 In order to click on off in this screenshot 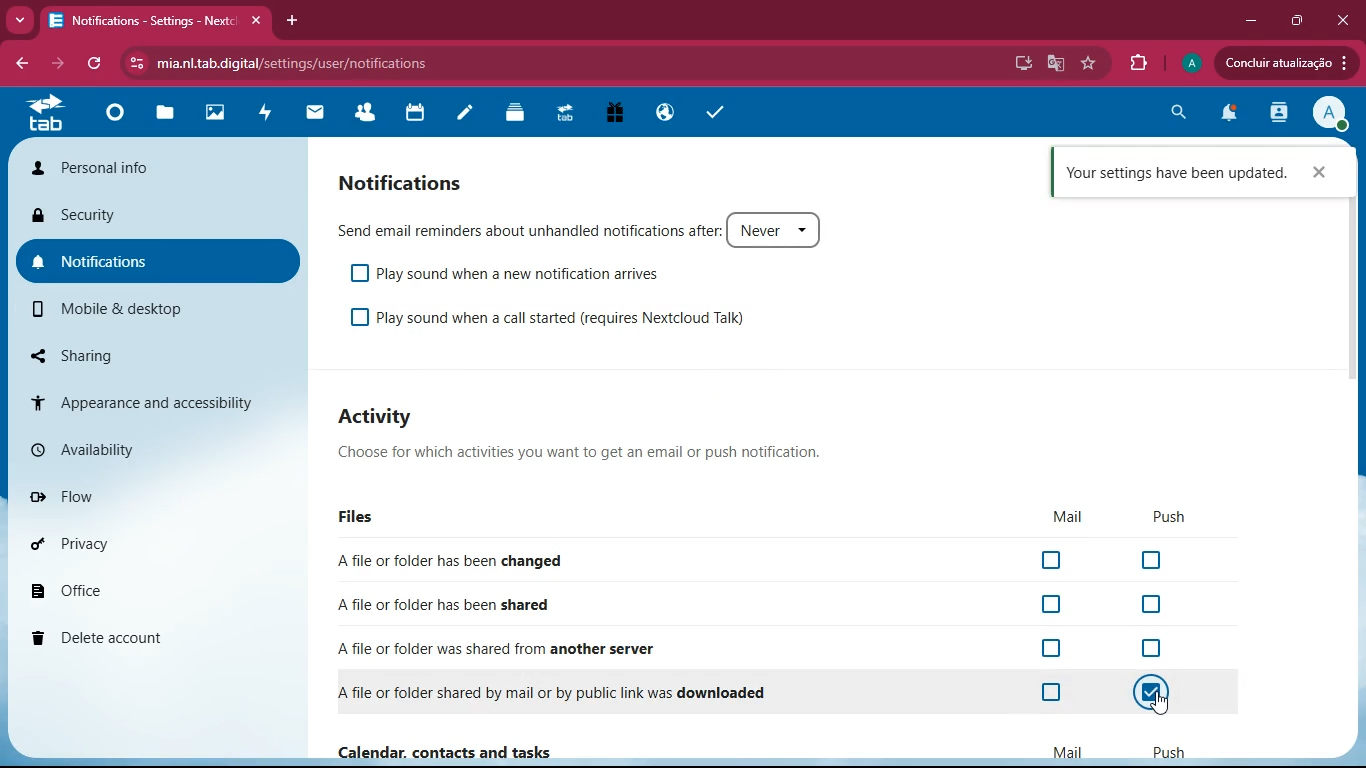, I will do `click(1051, 604)`.